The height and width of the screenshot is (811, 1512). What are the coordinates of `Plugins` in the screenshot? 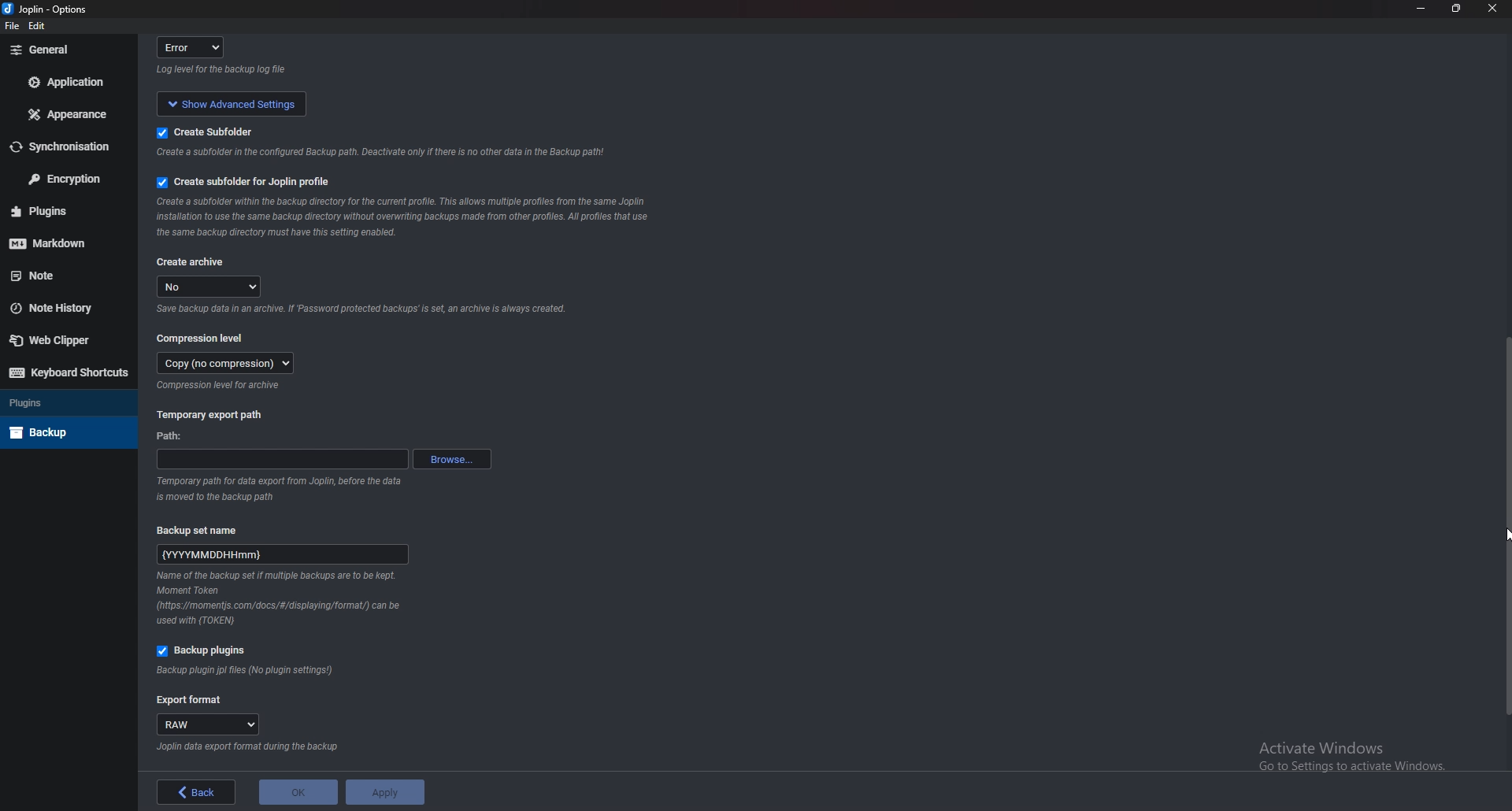 It's located at (65, 402).